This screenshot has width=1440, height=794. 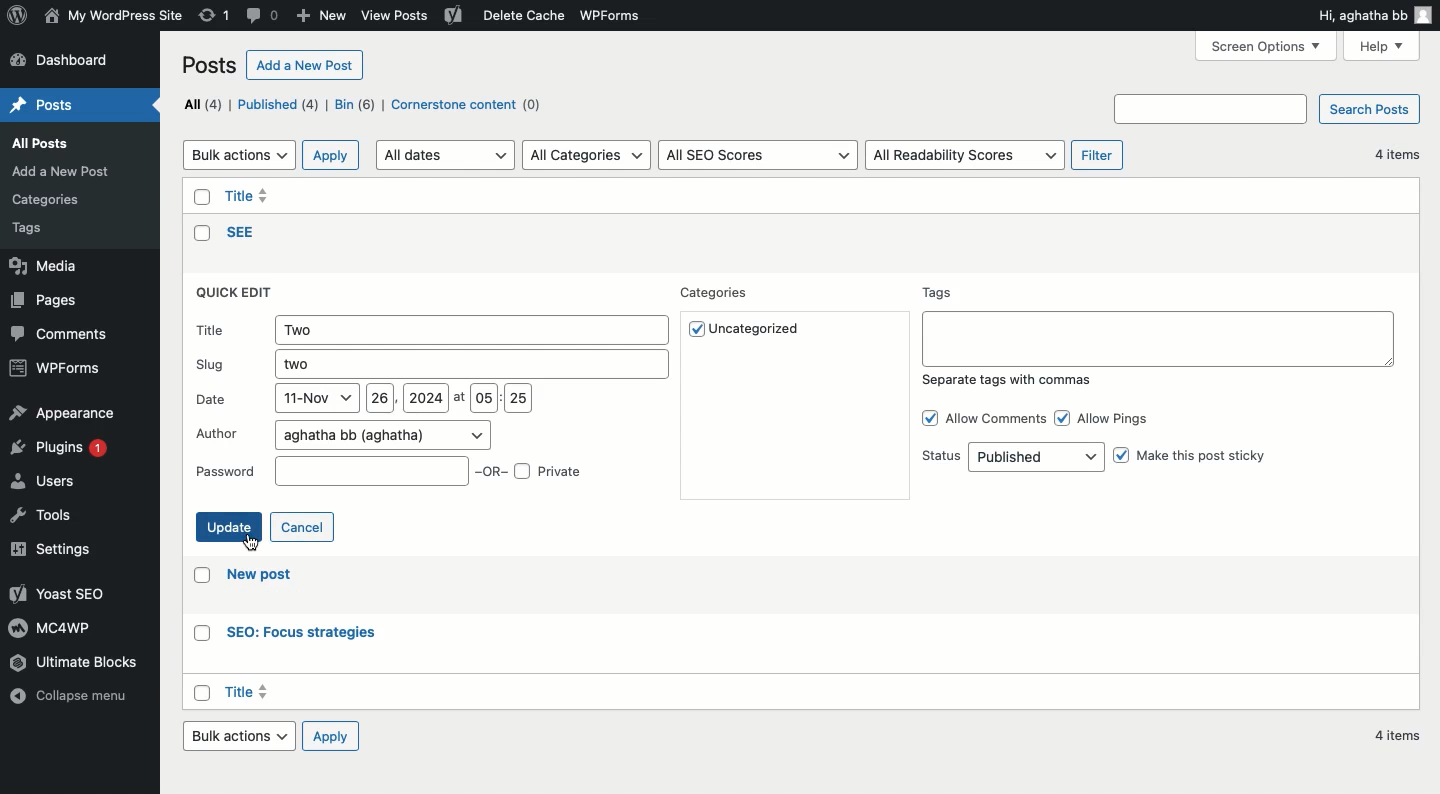 What do you see at coordinates (282, 106) in the screenshot?
I see `Published` at bounding box center [282, 106].